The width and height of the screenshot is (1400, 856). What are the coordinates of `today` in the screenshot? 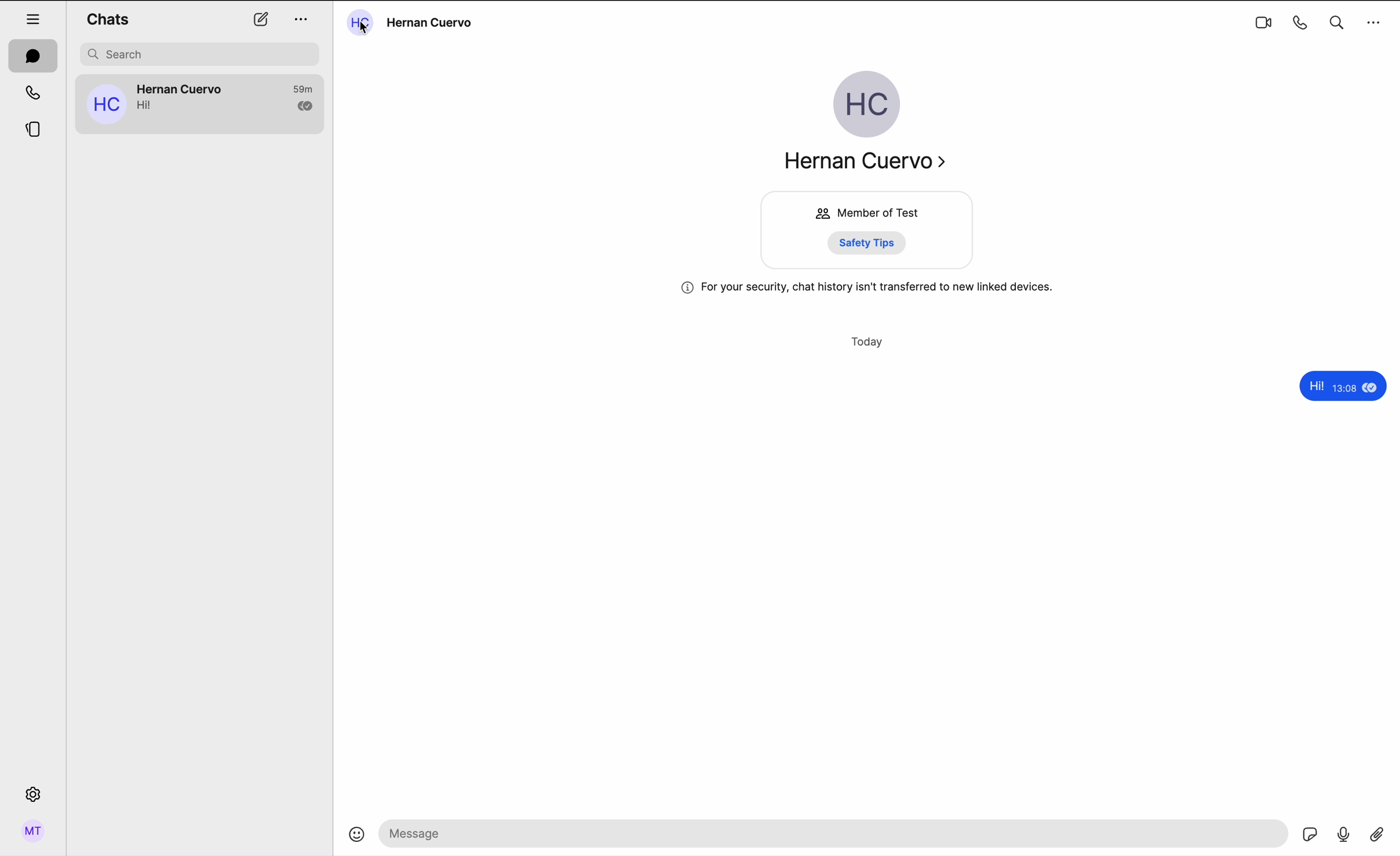 It's located at (867, 343).